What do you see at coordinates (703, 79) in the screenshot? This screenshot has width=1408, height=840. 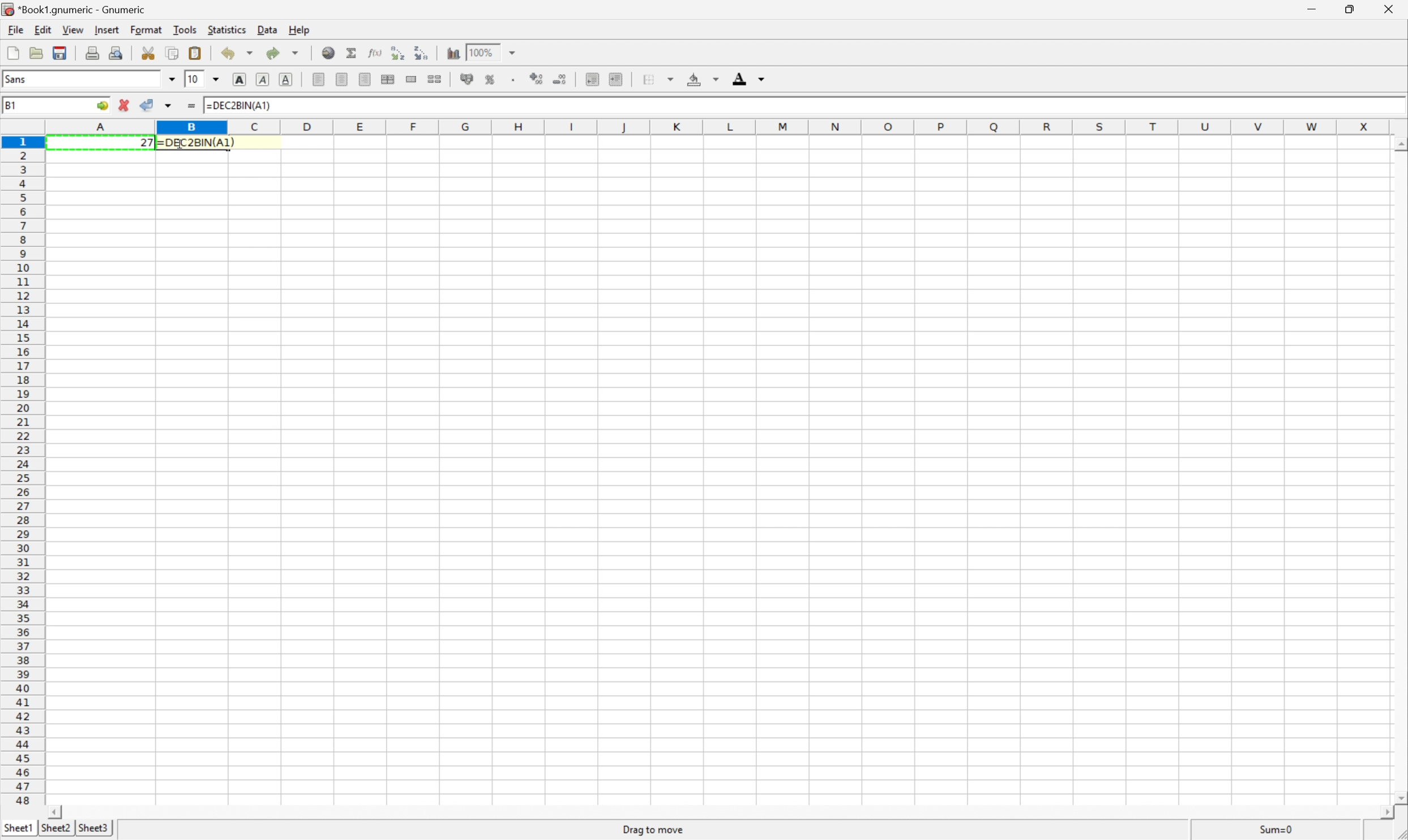 I see `Background` at bounding box center [703, 79].